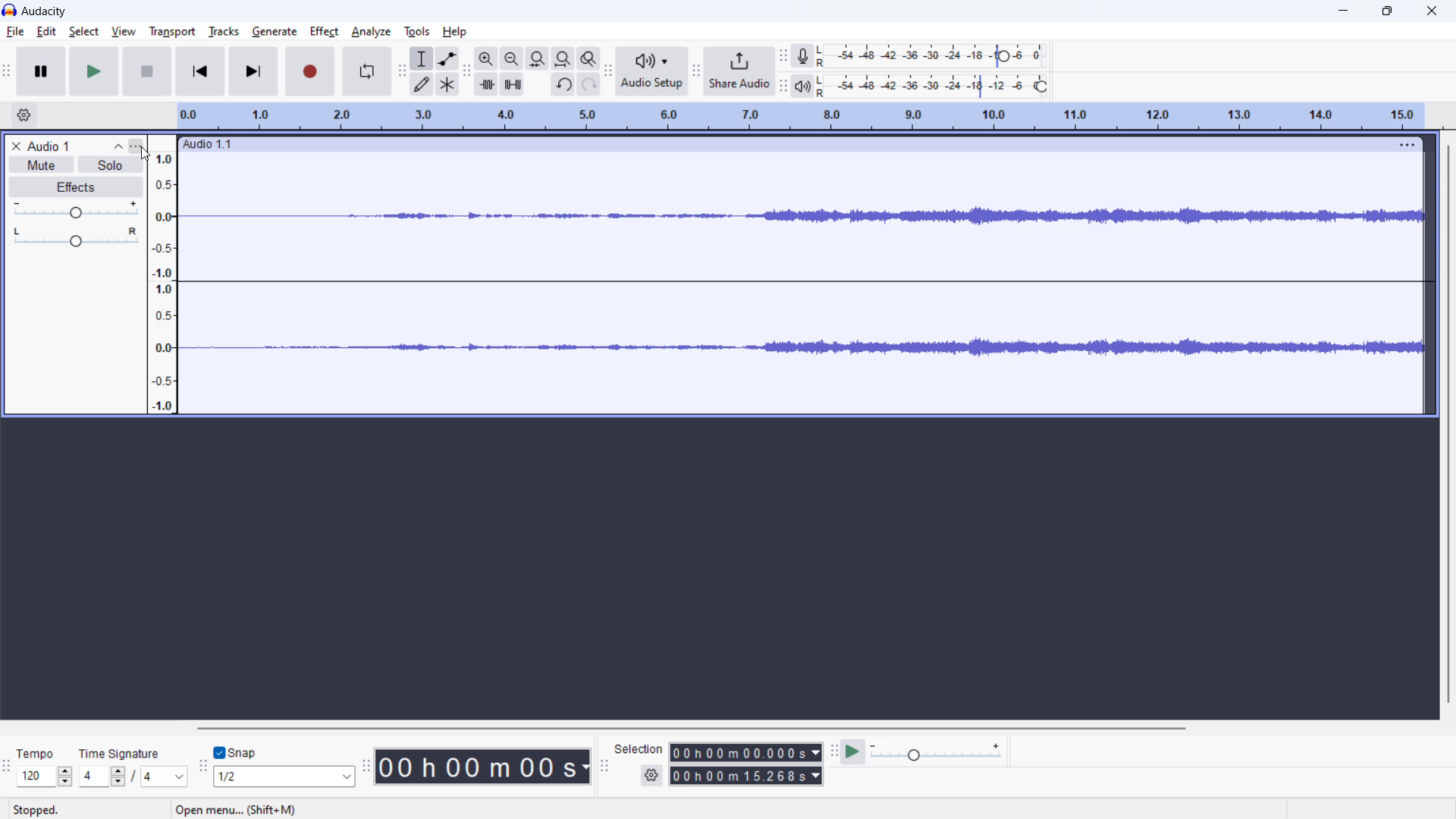 This screenshot has height=819, width=1456. I want to click on record level, so click(937, 57).